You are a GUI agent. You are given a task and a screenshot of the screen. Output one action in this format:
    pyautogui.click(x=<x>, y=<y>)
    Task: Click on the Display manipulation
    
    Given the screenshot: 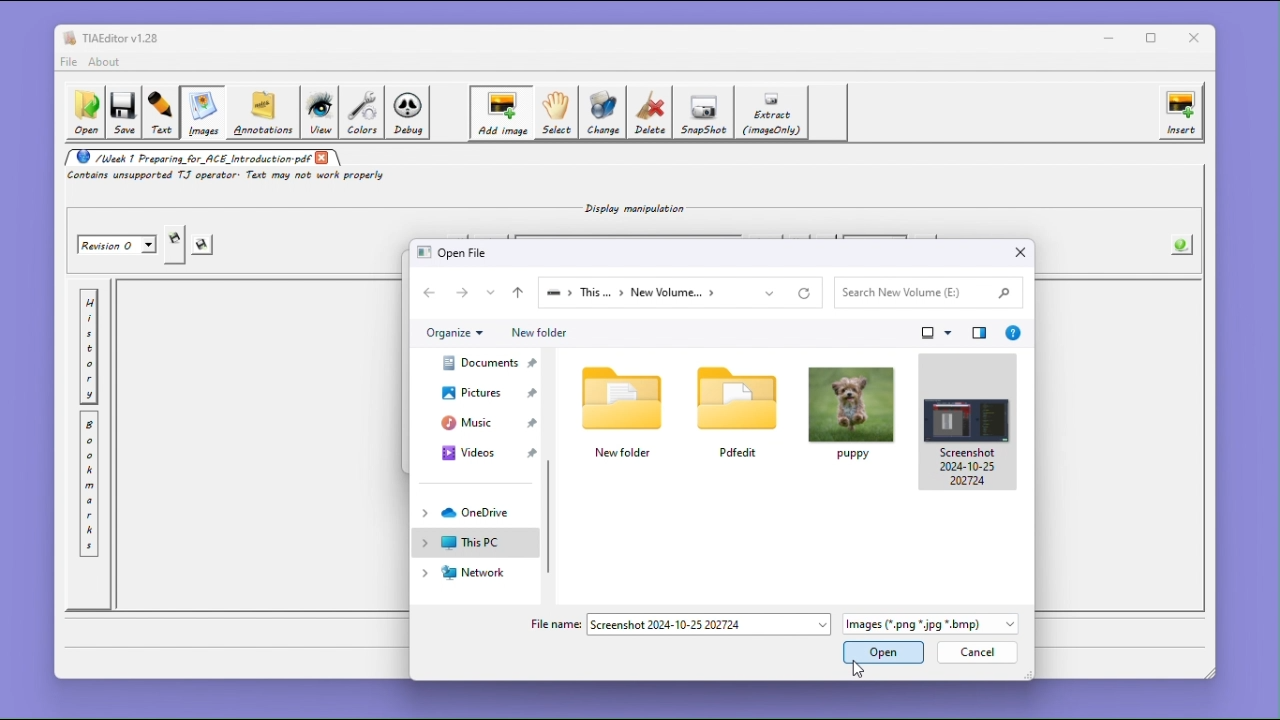 What is the action you would take?
    pyautogui.click(x=629, y=207)
    